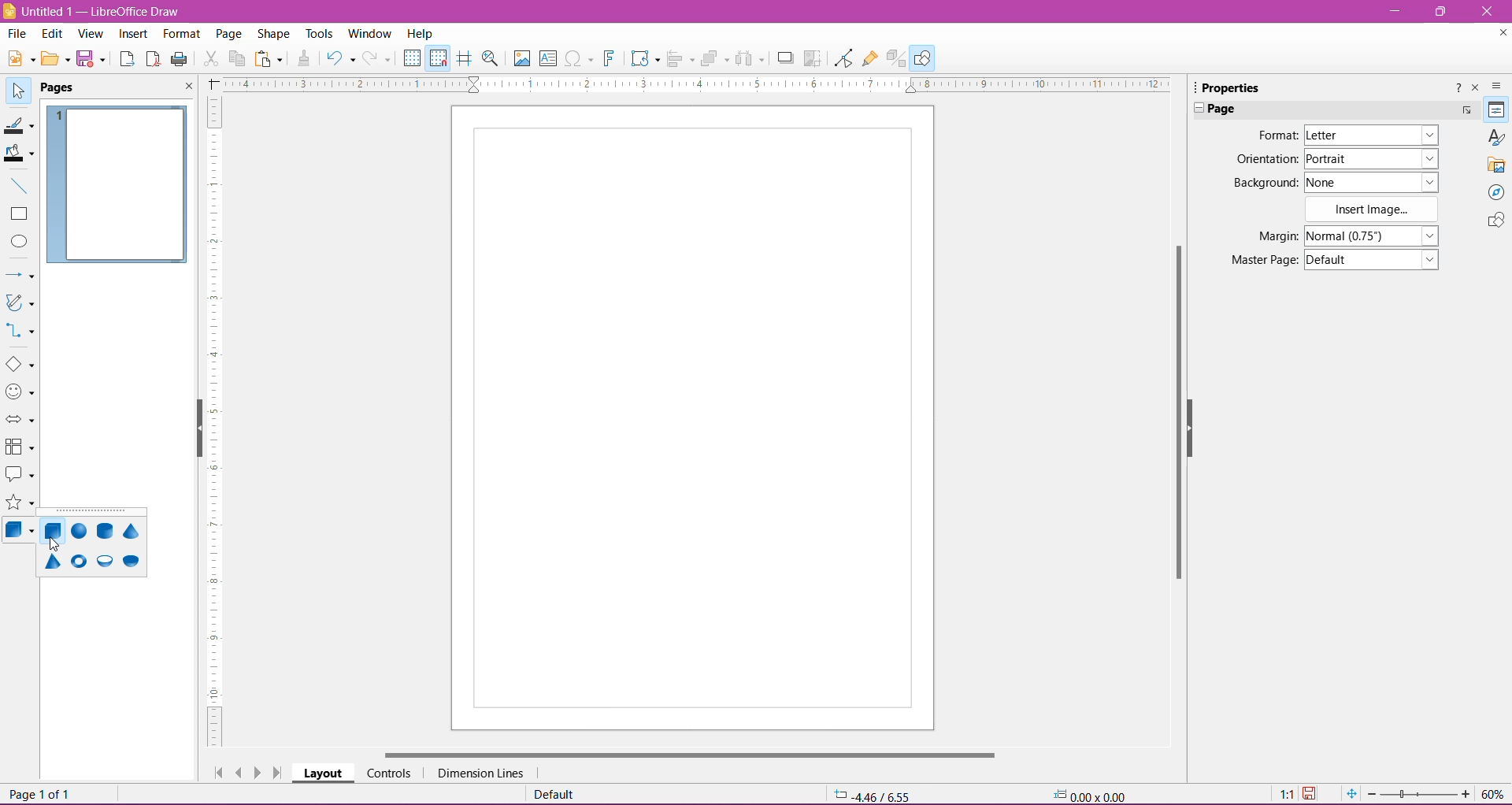  Describe the element at coordinates (1374, 210) in the screenshot. I see `Insert Image` at that location.